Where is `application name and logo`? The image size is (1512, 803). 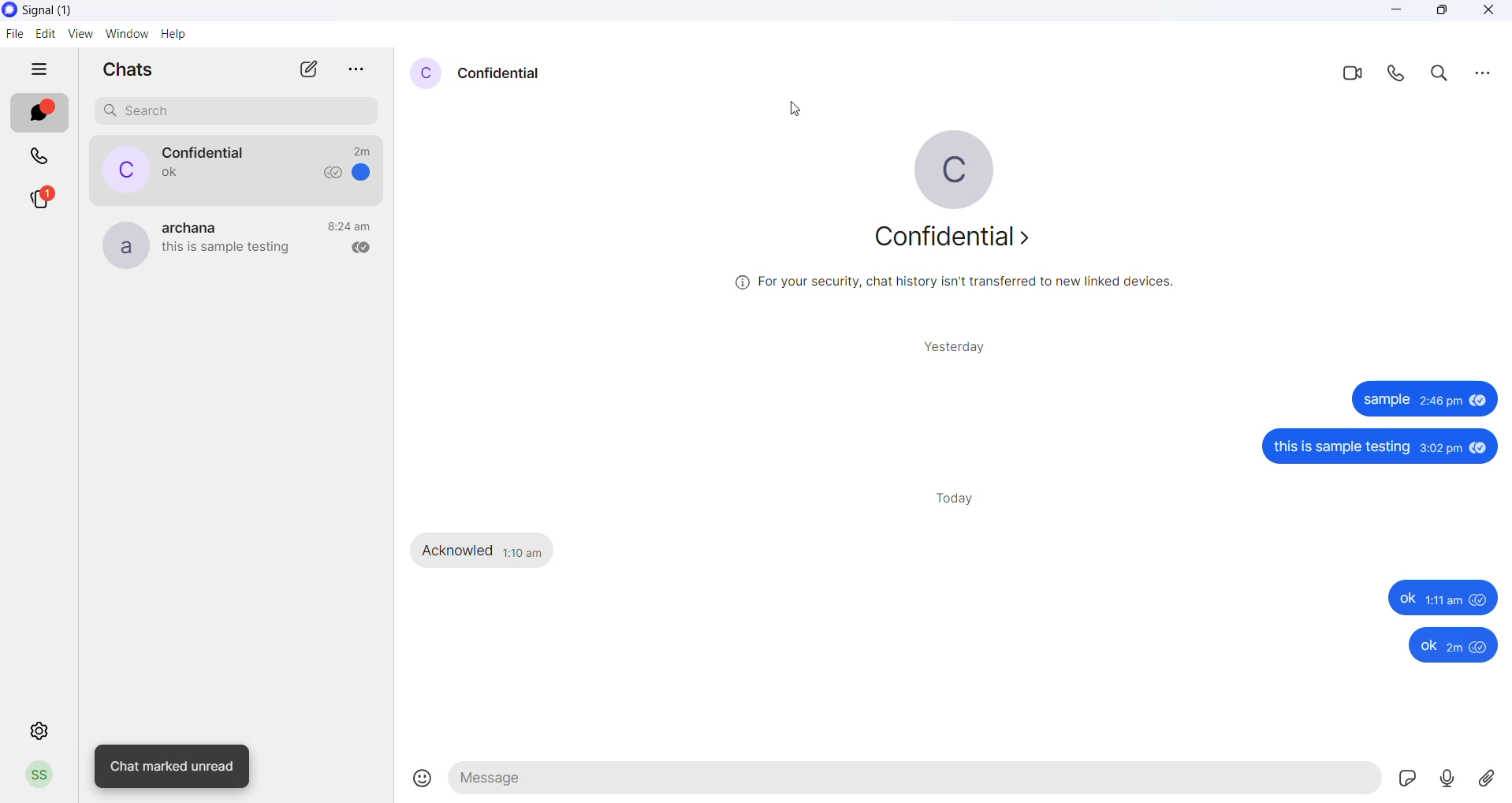 application name and logo is located at coordinates (69, 10).